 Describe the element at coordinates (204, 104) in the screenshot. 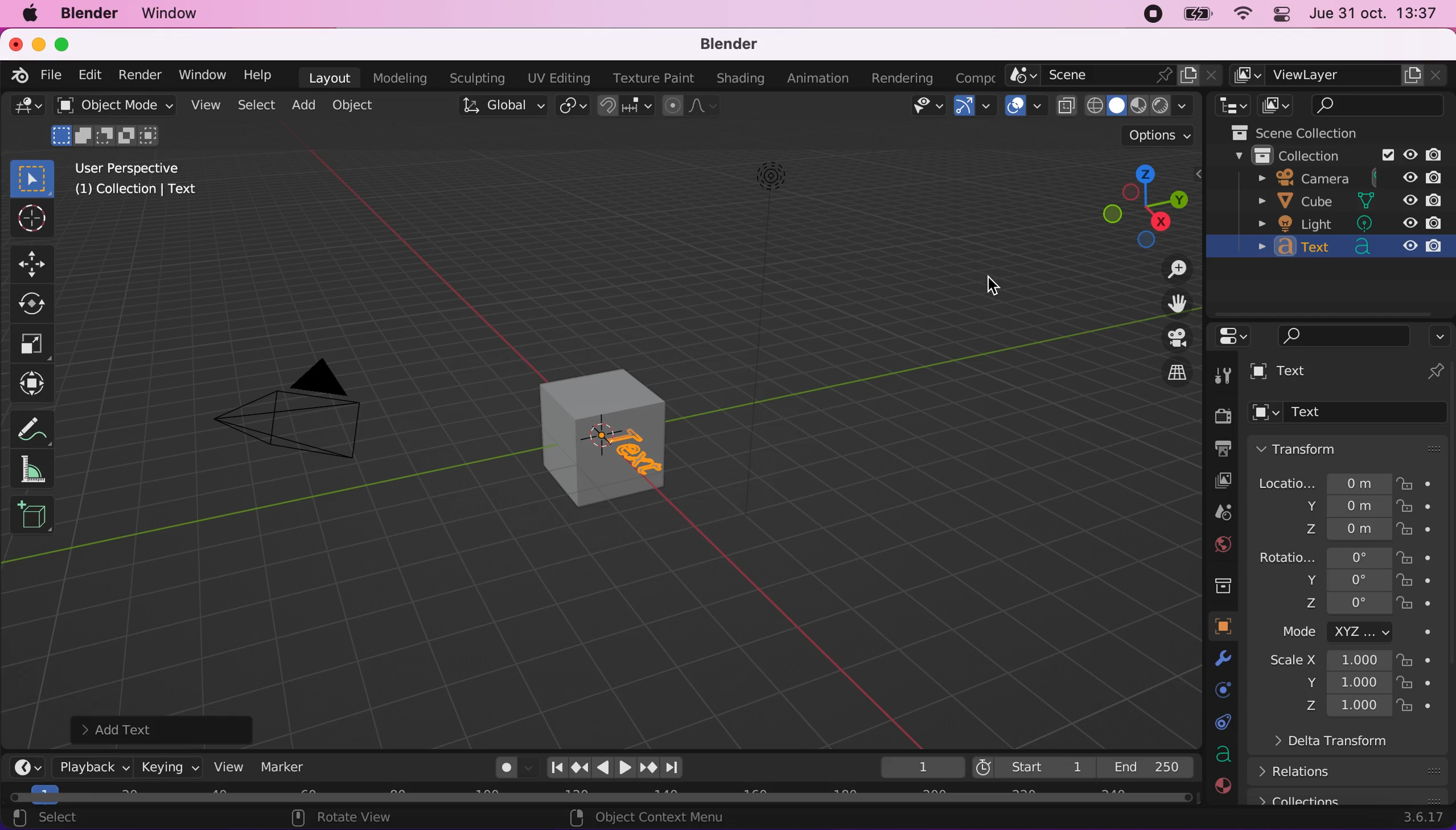

I see `view` at that location.